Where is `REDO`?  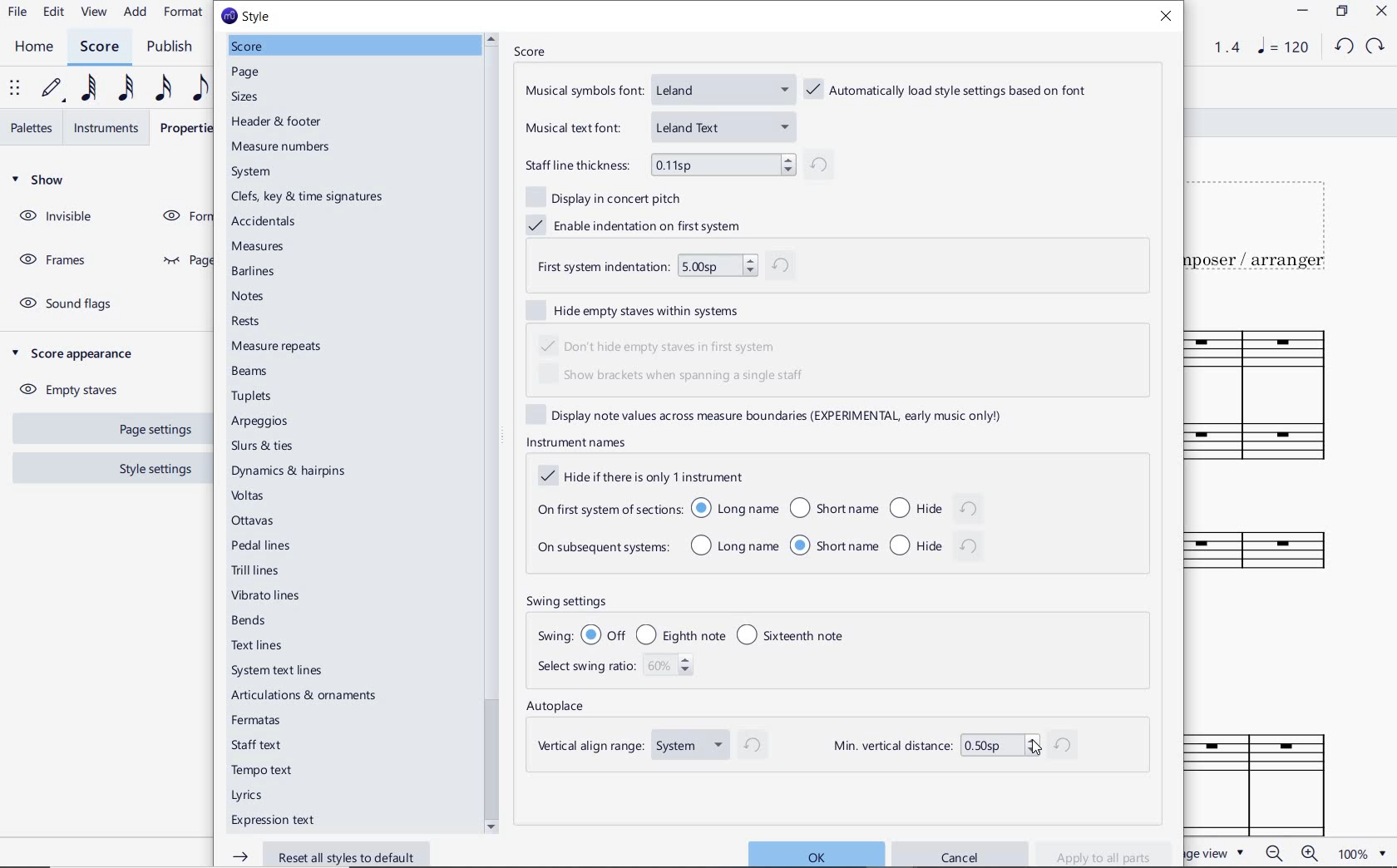
REDO is located at coordinates (1374, 47).